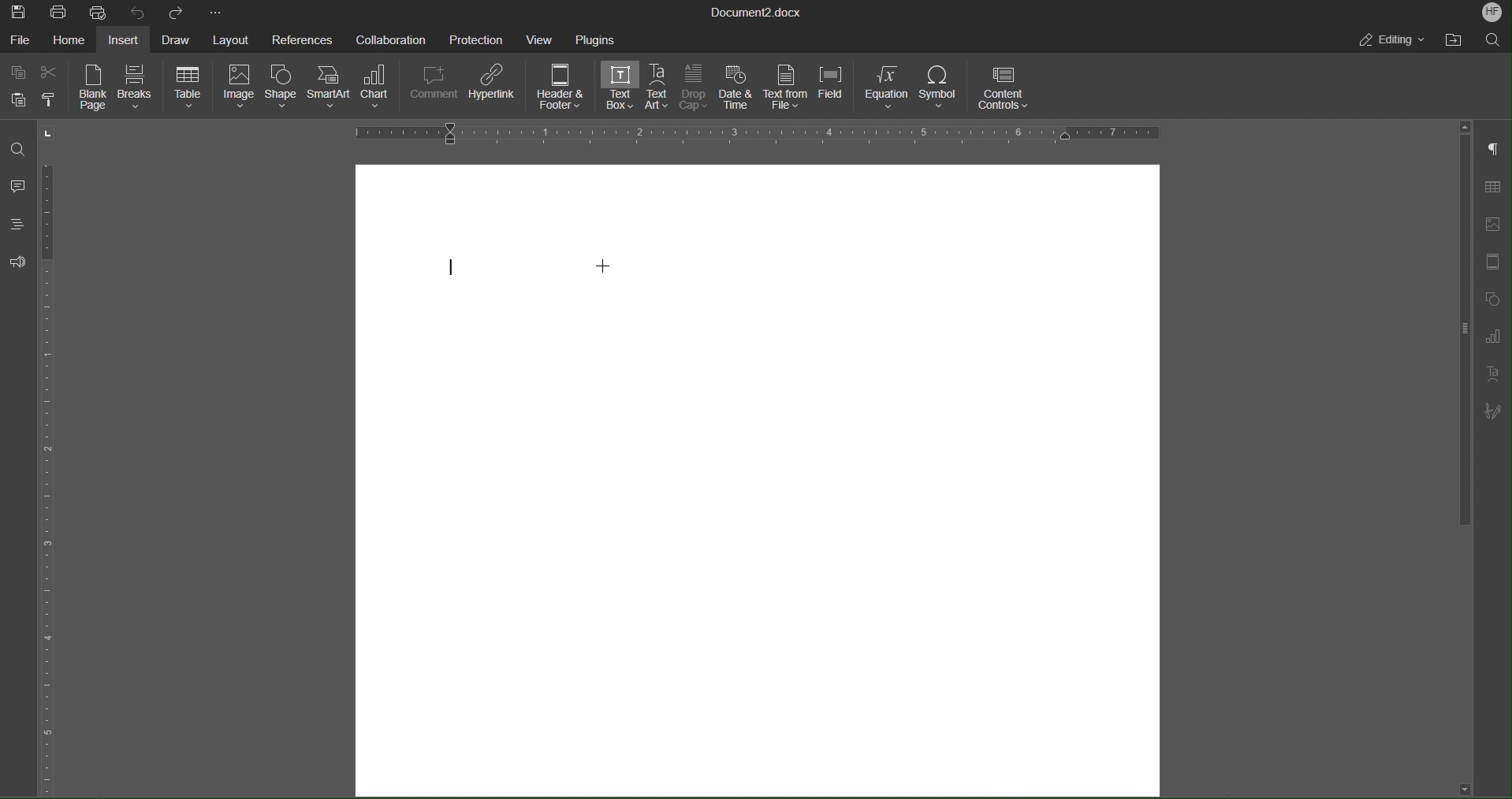 The image size is (1512, 799). Describe the element at coordinates (99, 11) in the screenshot. I see `Quick Print` at that location.